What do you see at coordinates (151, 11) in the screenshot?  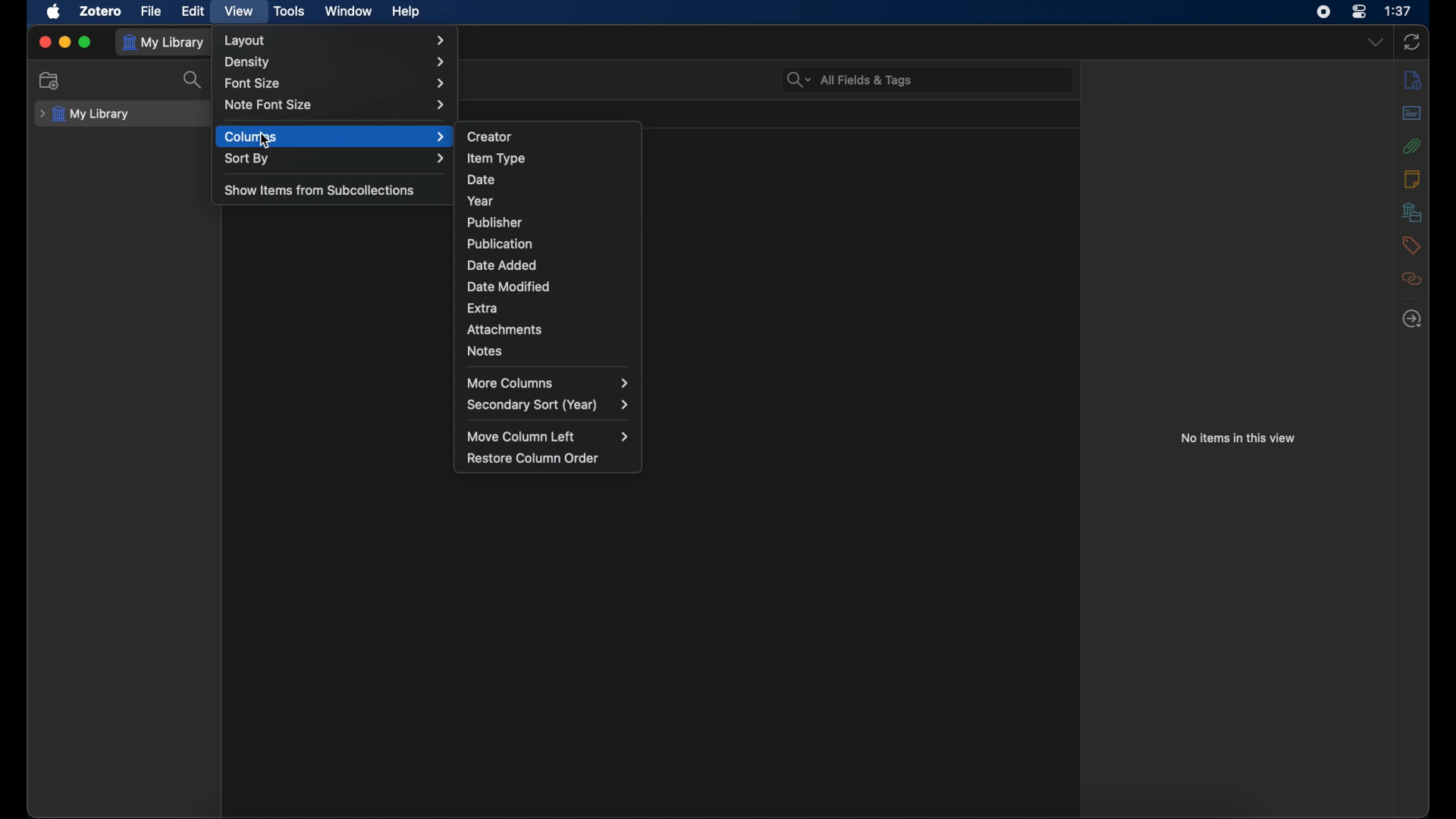 I see `file` at bounding box center [151, 11].